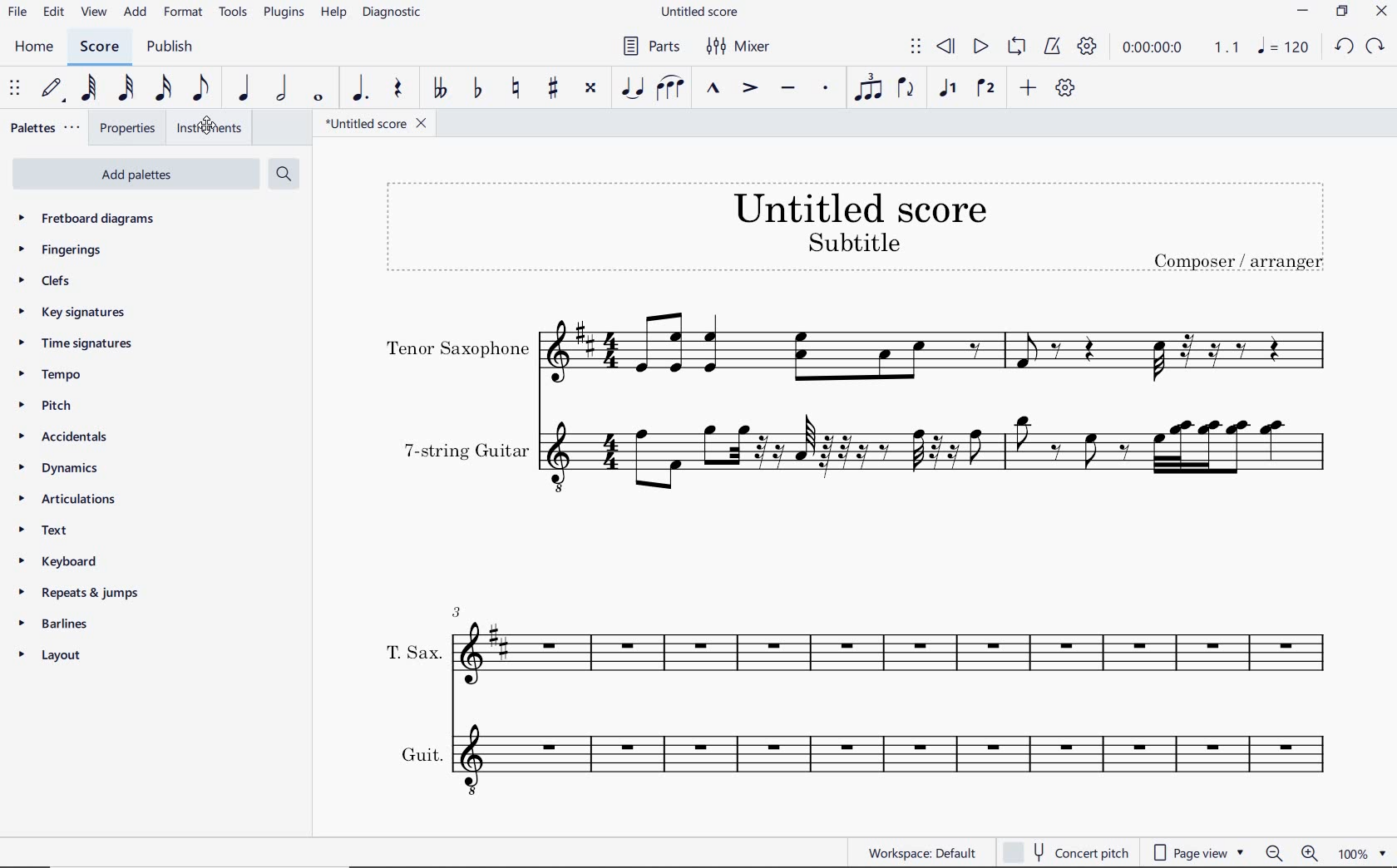 This screenshot has height=868, width=1397. What do you see at coordinates (361, 89) in the screenshot?
I see `AUGMENTATION DOT` at bounding box center [361, 89].